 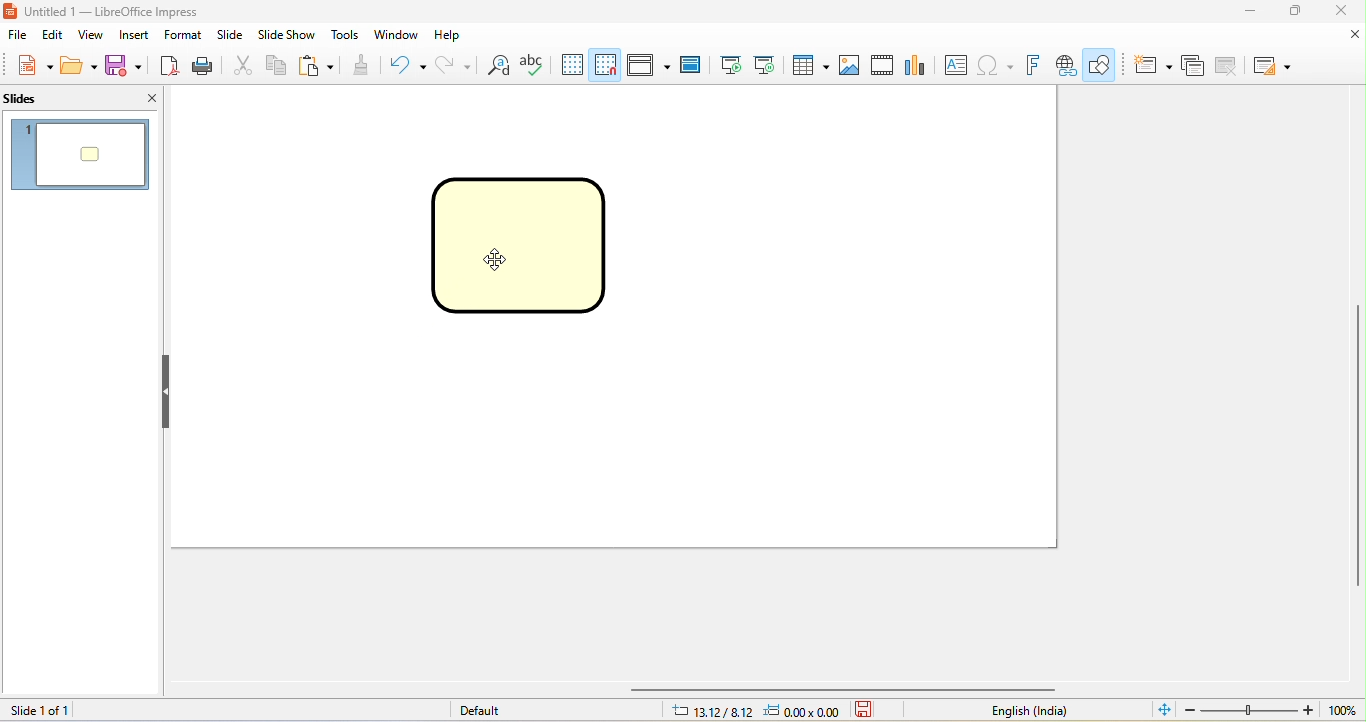 I want to click on slide 1 to 1, so click(x=72, y=710).